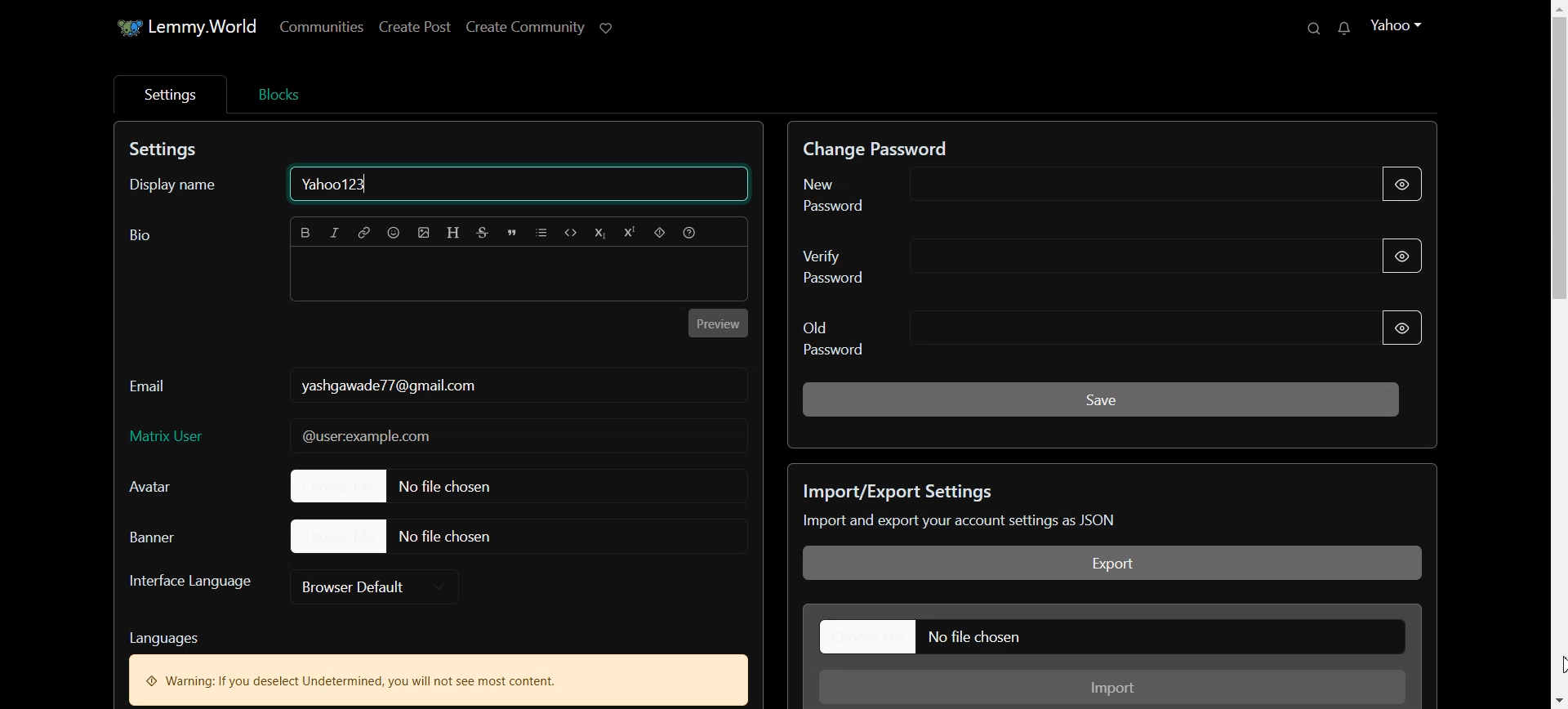 This screenshot has height=709, width=1568. Describe the element at coordinates (425, 233) in the screenshot. I see `Upload picture` at that location.